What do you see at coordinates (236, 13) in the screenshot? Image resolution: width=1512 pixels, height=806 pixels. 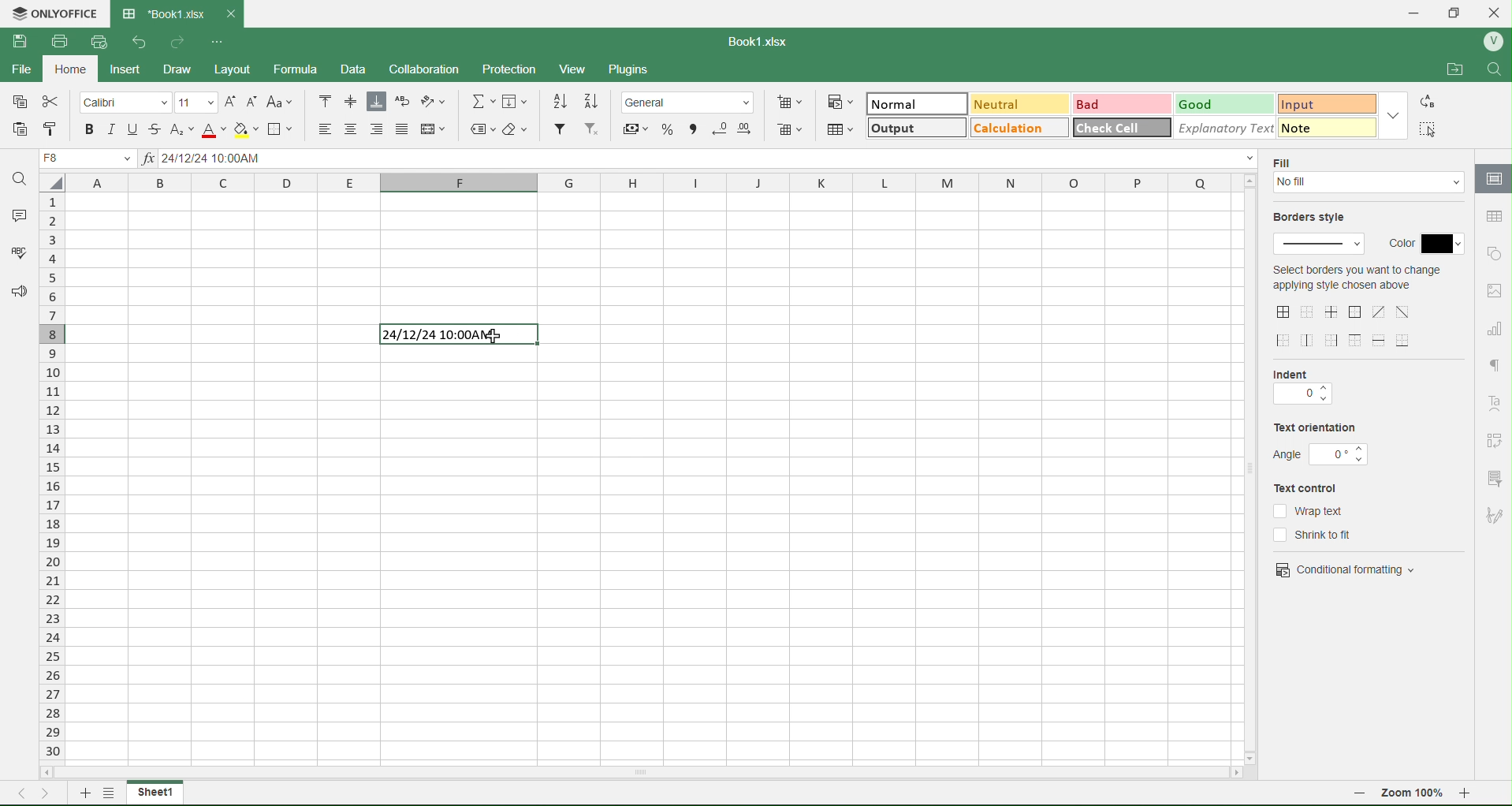 I see `close tab` at bounding box center [236, 13].